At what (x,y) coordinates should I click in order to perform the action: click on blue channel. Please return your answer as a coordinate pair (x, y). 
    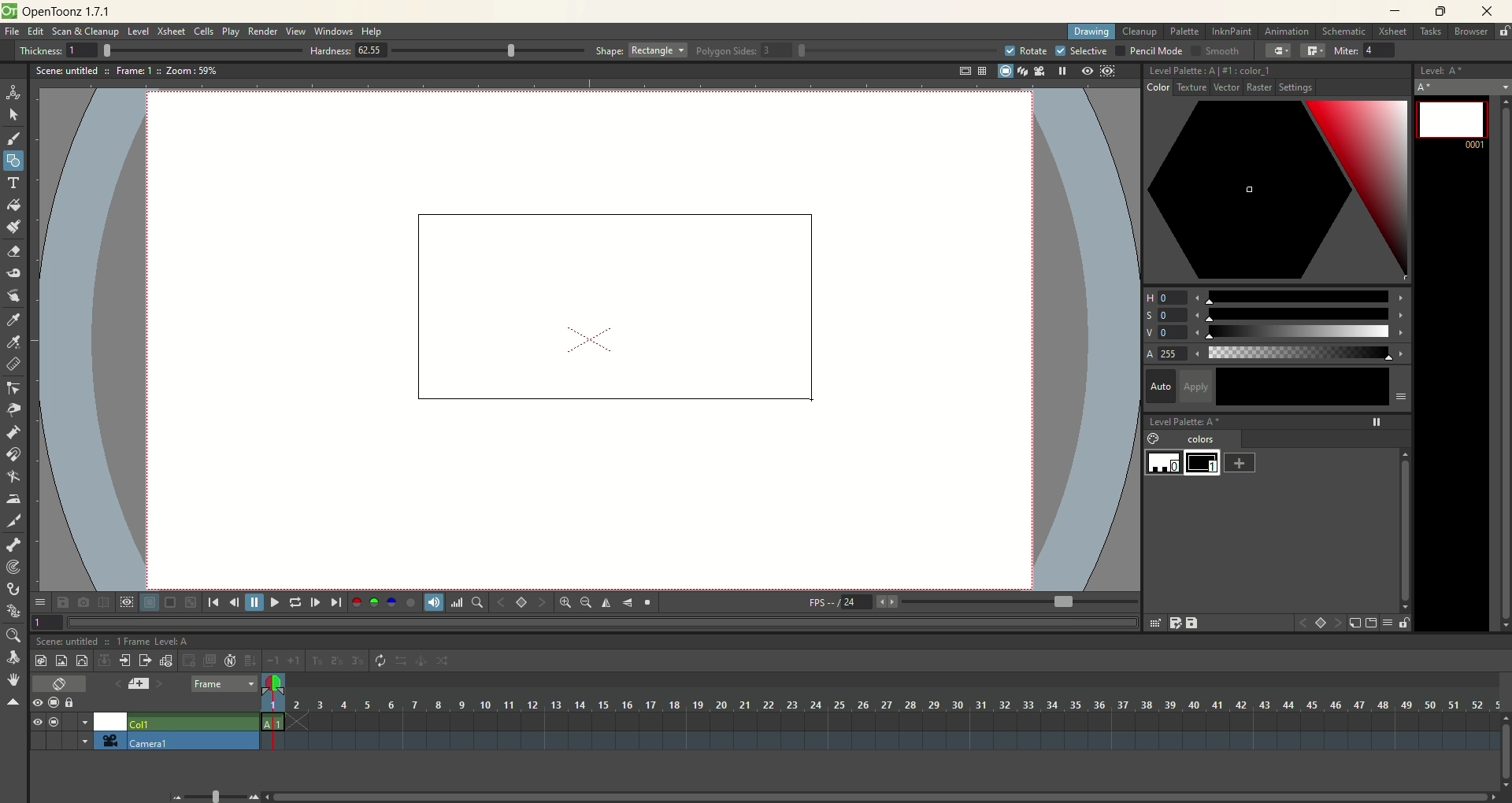
    Looking at the image, I should click on (389, 601).